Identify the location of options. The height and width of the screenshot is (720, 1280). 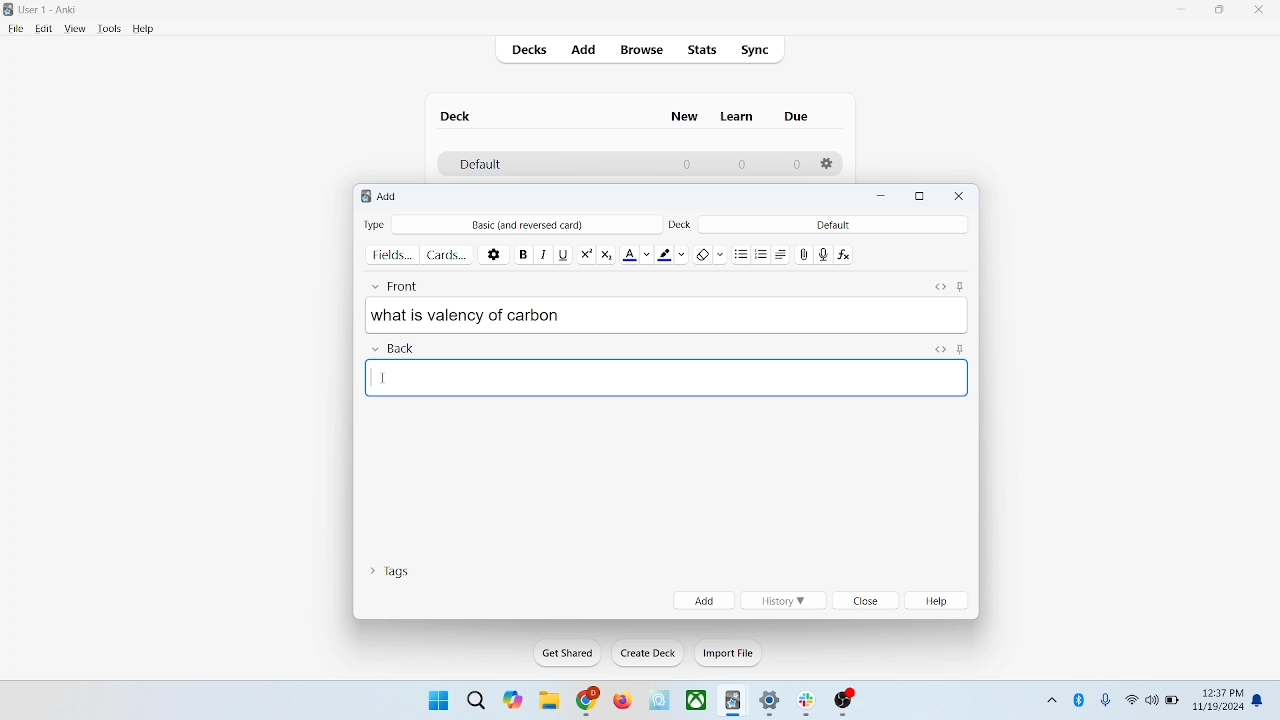
(828, 164).